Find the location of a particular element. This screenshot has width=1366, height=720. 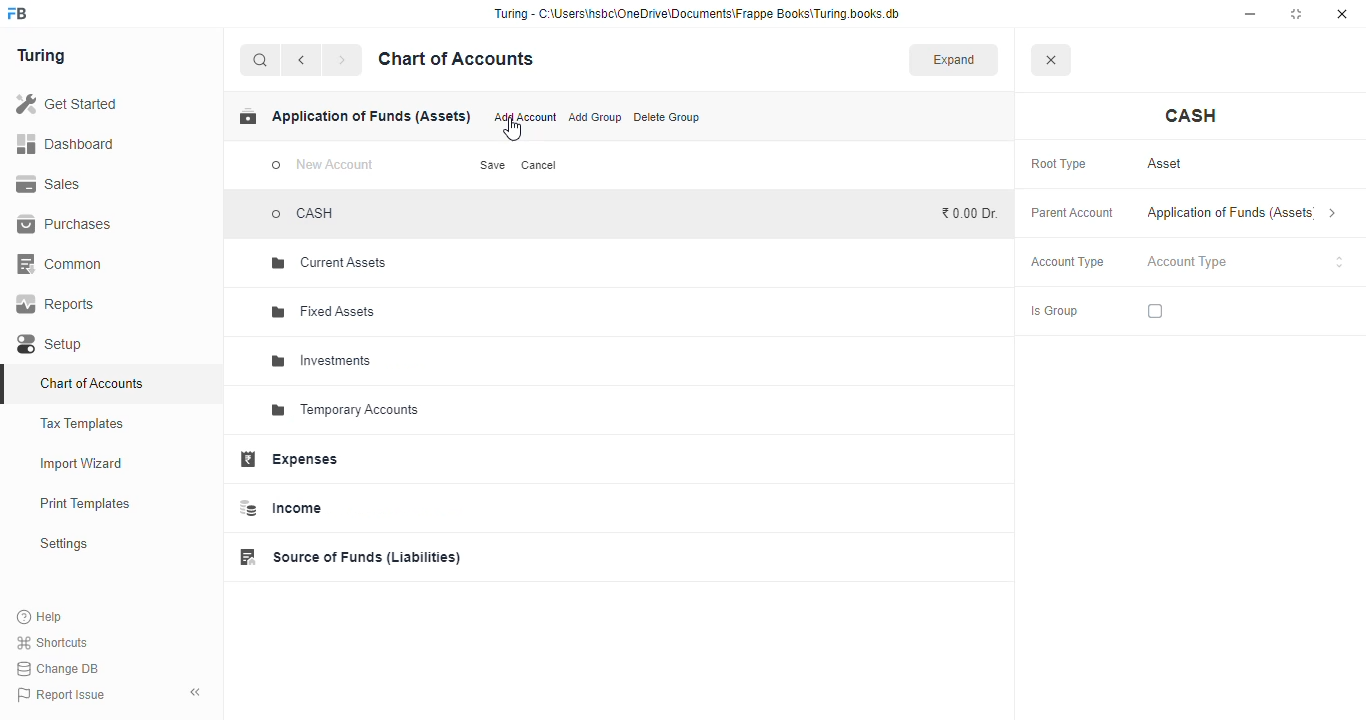

toggle sidebar is located at coordinates (196, 692).